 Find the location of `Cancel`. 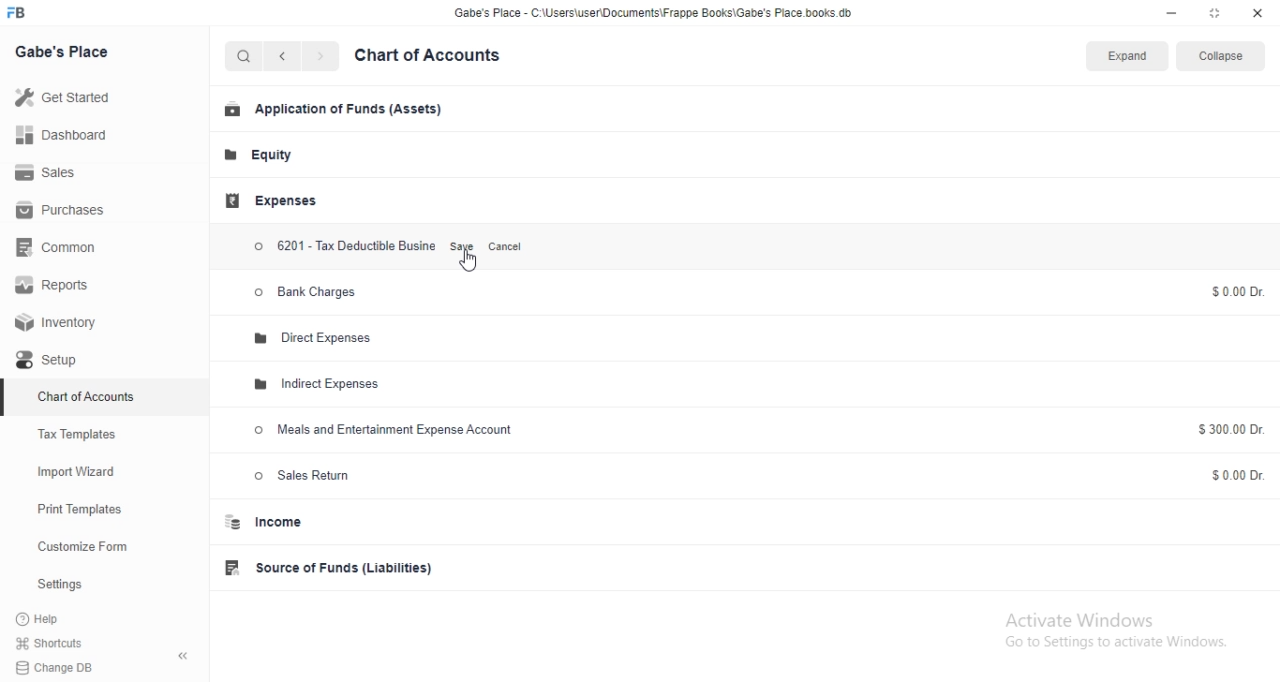

Cancel is located at coordinates (510, 248).